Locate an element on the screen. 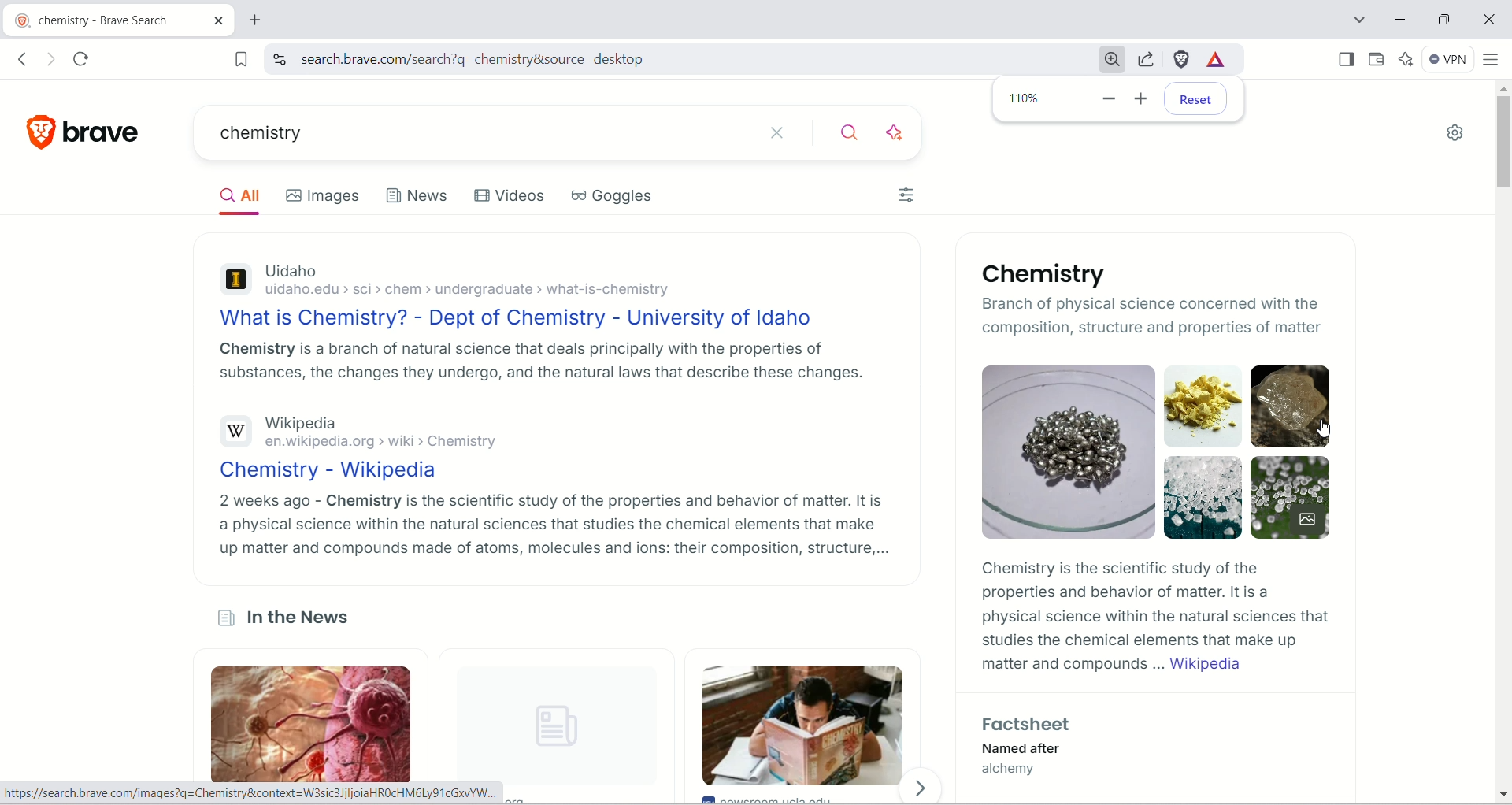 Image resolution: width=1512 pixels, height=805 pixels. newsroom.ucla.edu is located at coordinates (773, 796).